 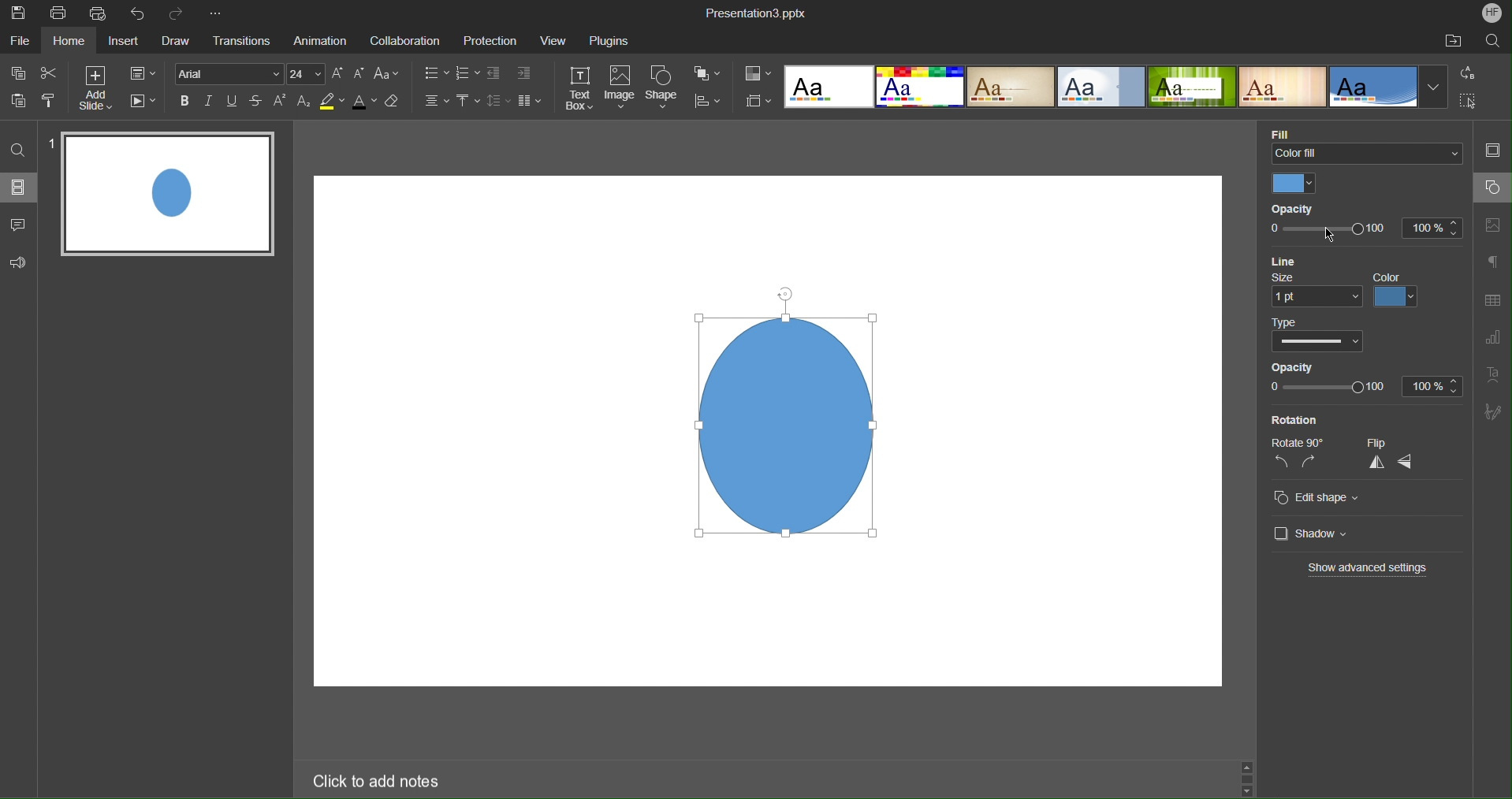 What do you see at coordinates (397, 104) in the screenshot?
I see `Erase Style` at bounding box center [397, 104].